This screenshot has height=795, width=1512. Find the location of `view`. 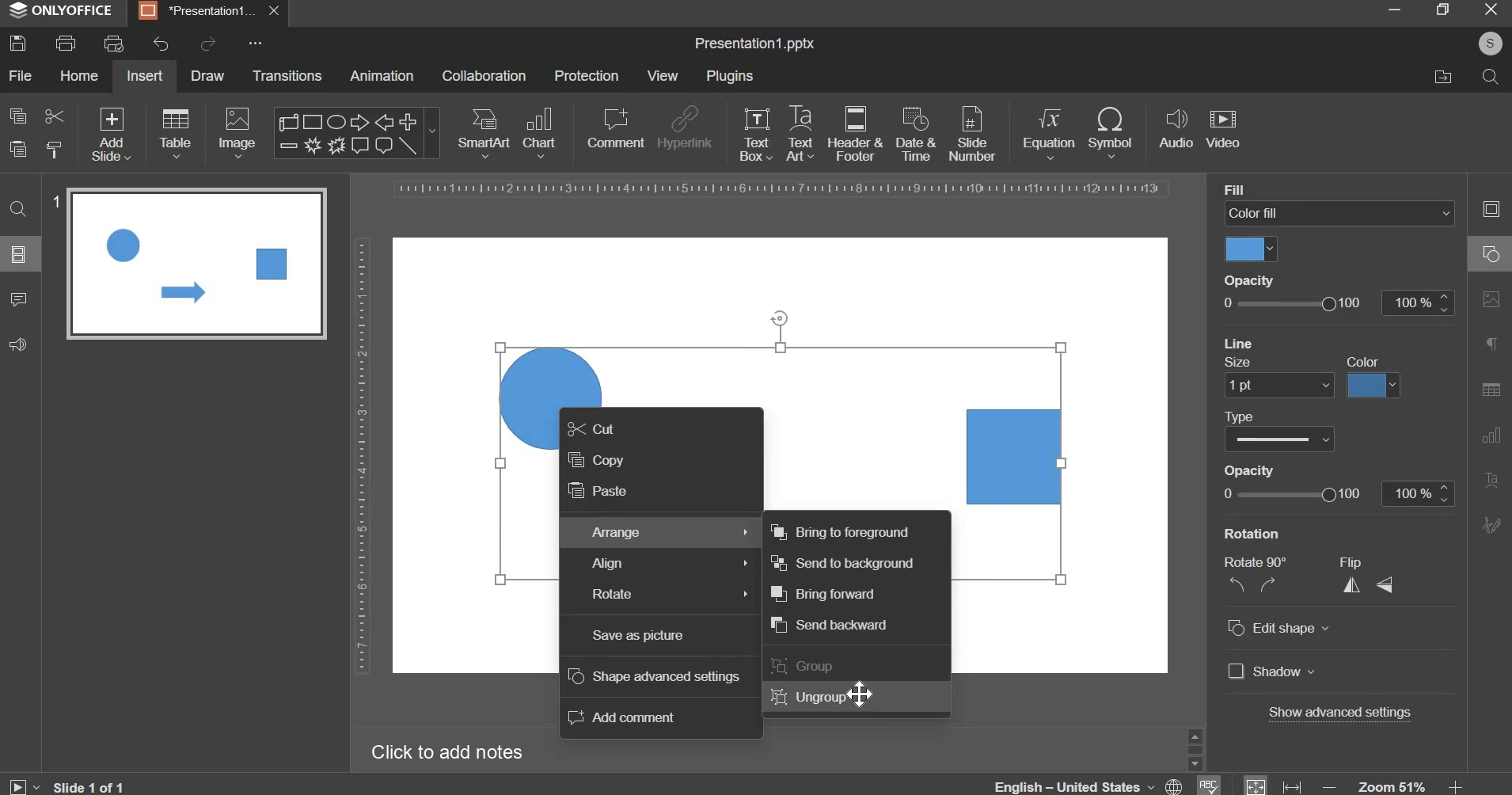

view is located at coordinates (662, 75).